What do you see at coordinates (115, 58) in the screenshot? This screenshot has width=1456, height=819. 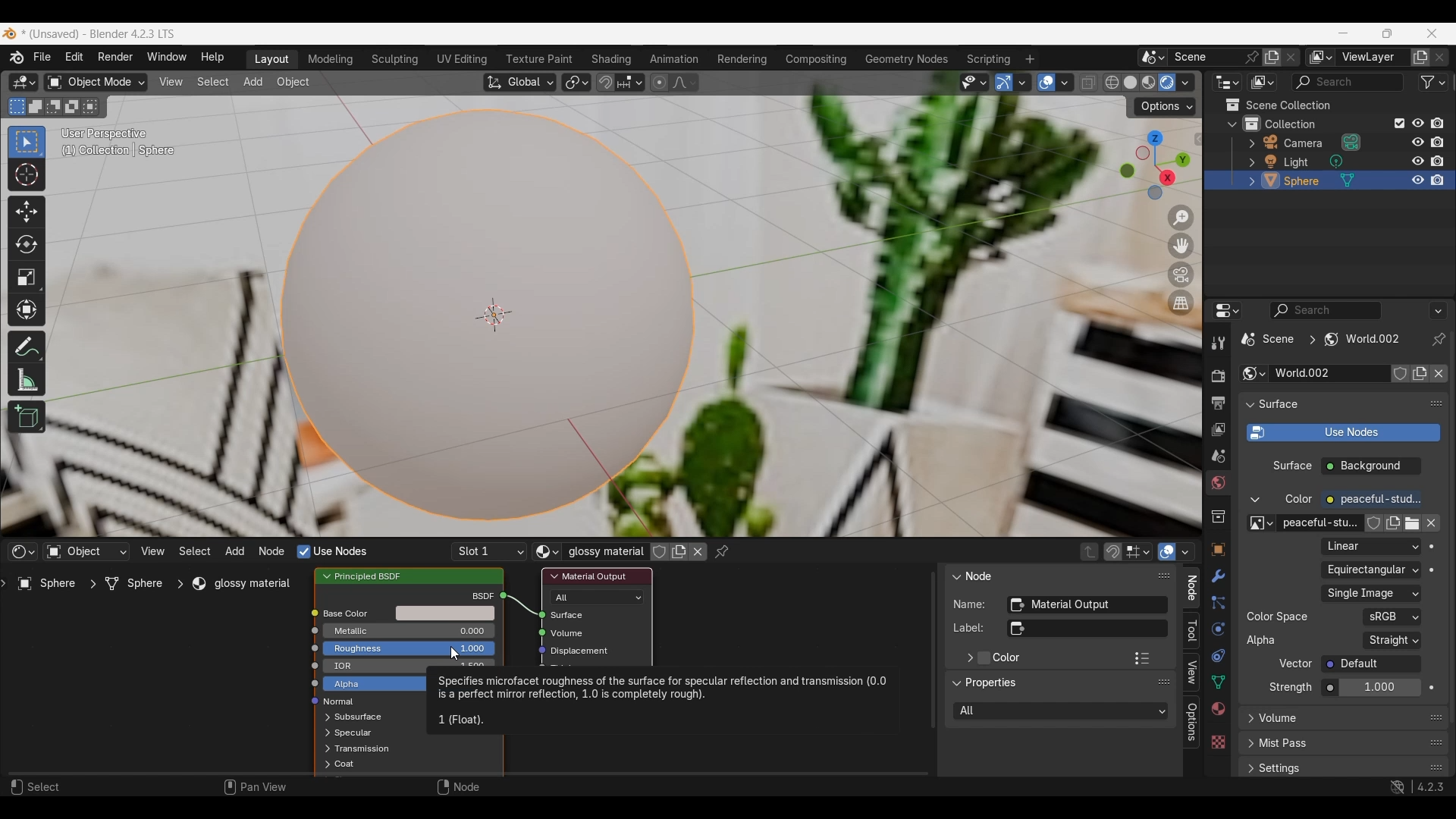 I see `Render menu` at bounding box center [115, 58].